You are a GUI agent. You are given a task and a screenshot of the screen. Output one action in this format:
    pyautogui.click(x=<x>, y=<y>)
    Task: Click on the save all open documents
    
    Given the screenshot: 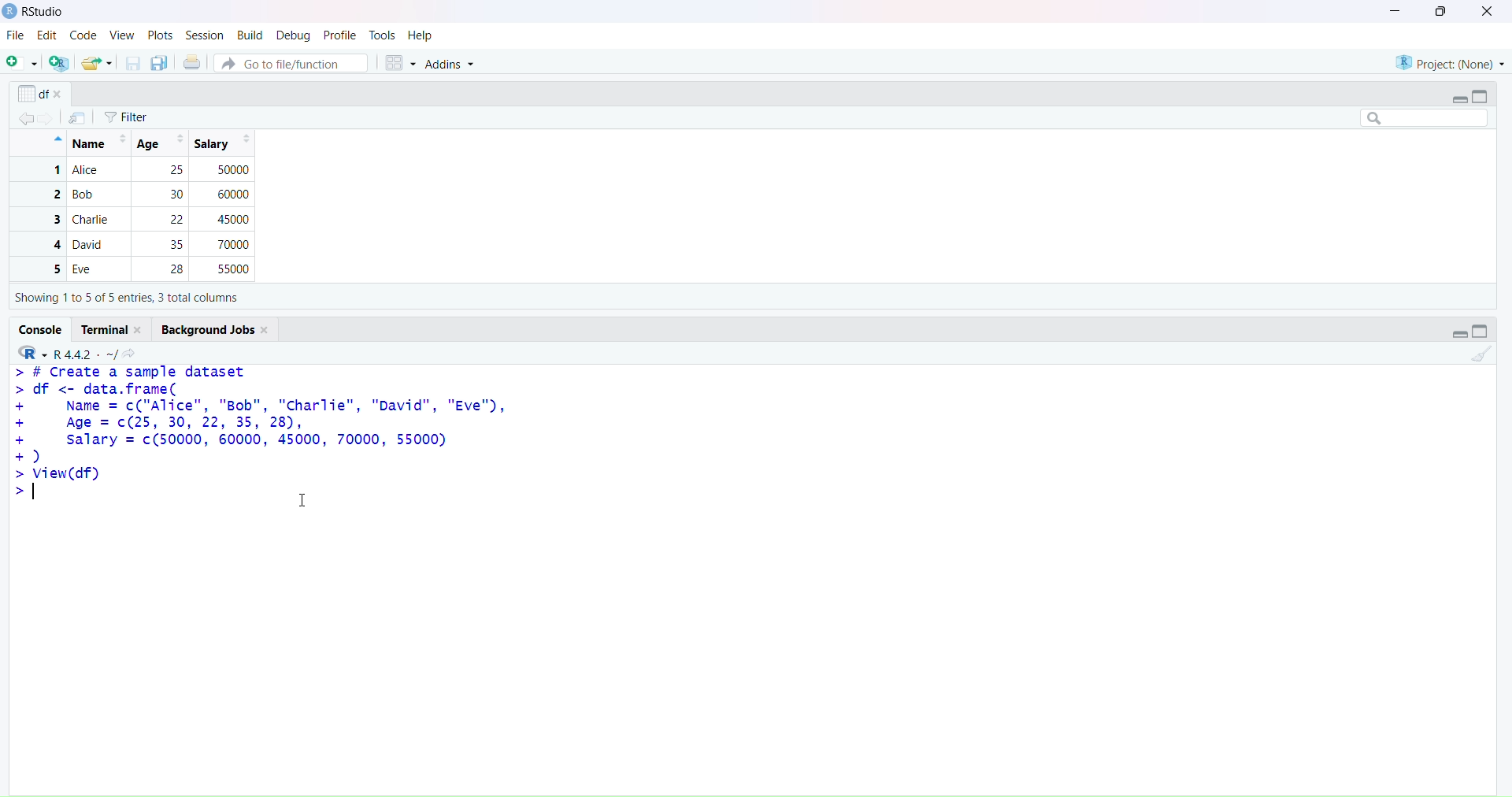 What is the action you would take?
    pyautogui.click(x=160, y=62)
    